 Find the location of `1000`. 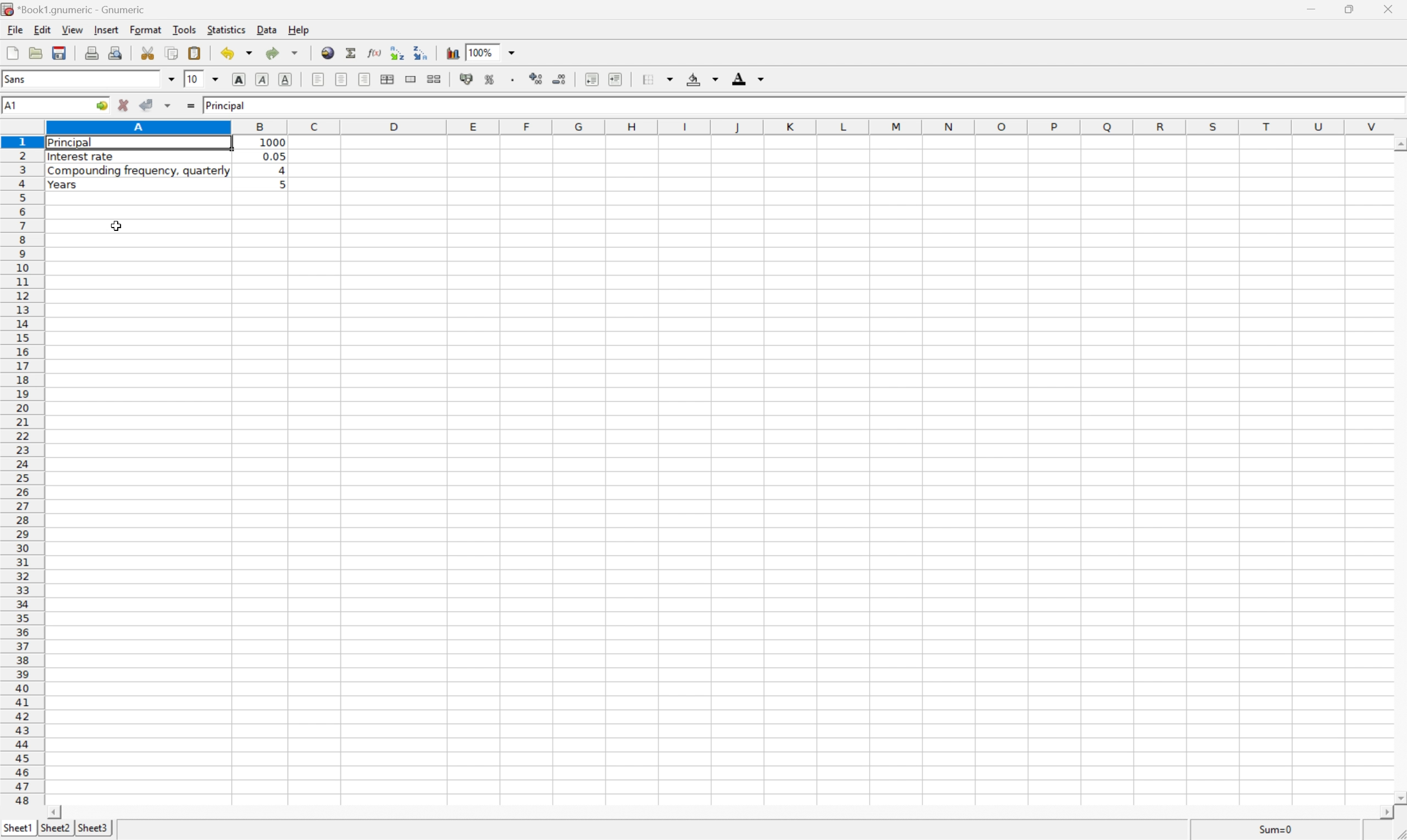

1000 is located at coordinates (275, 143).